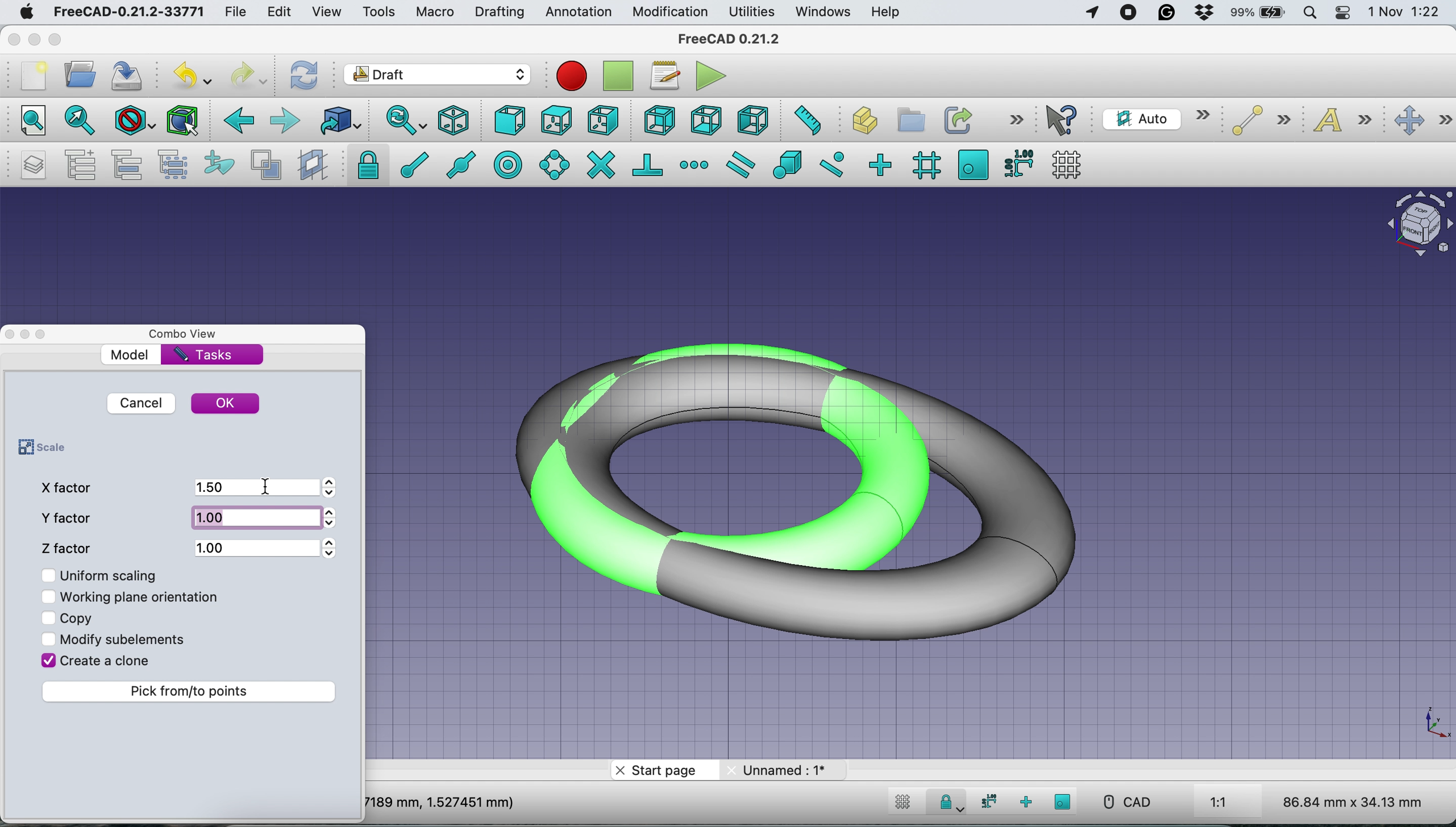 The height and width of the screenshot is (827, 1456). What do you see at coordinates (1414, 224) in the screenshot?
I see `Navigation Cube` at bounding box center [1414, 224].